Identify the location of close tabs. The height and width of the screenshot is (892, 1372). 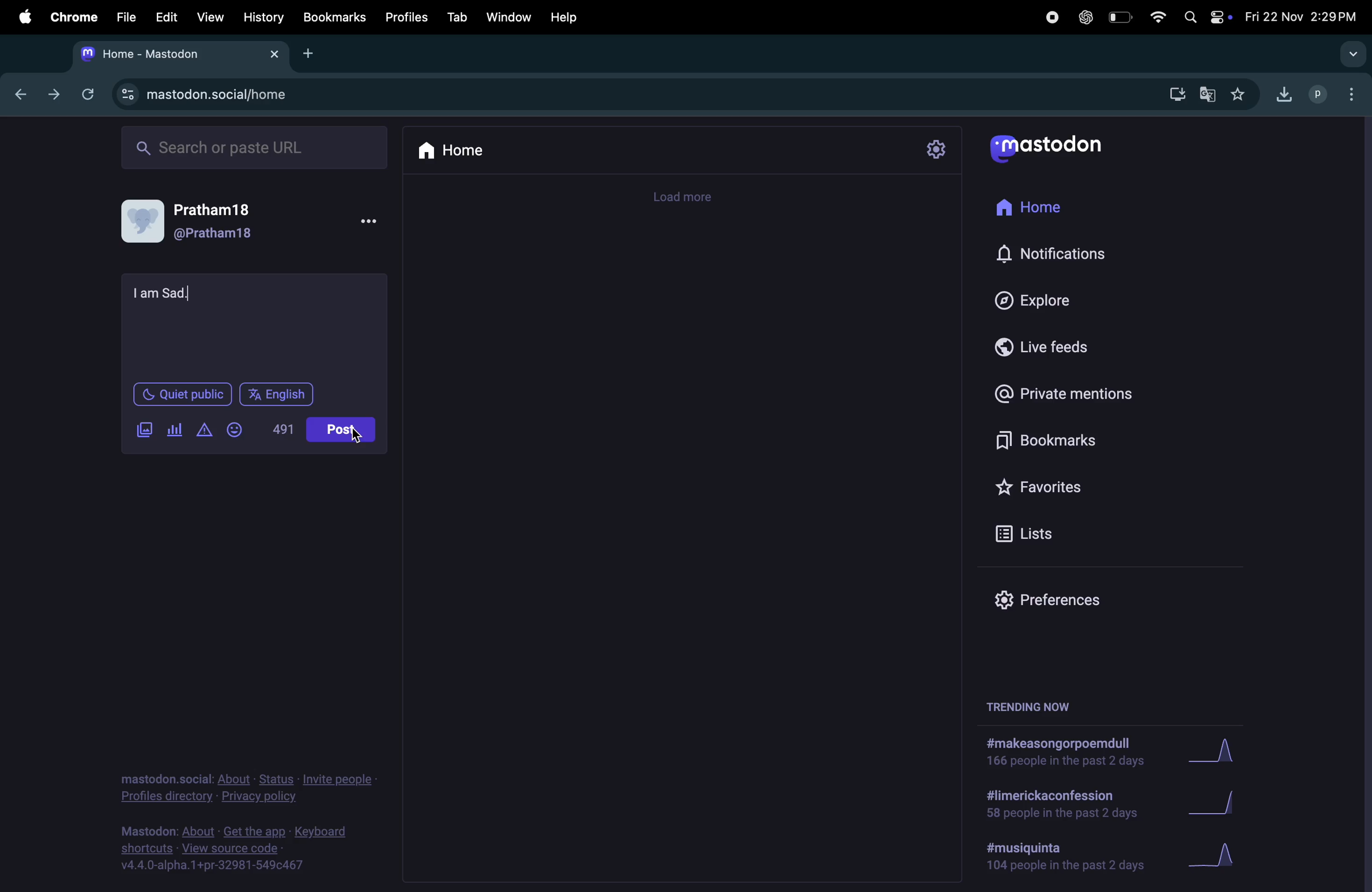
(279, 56).